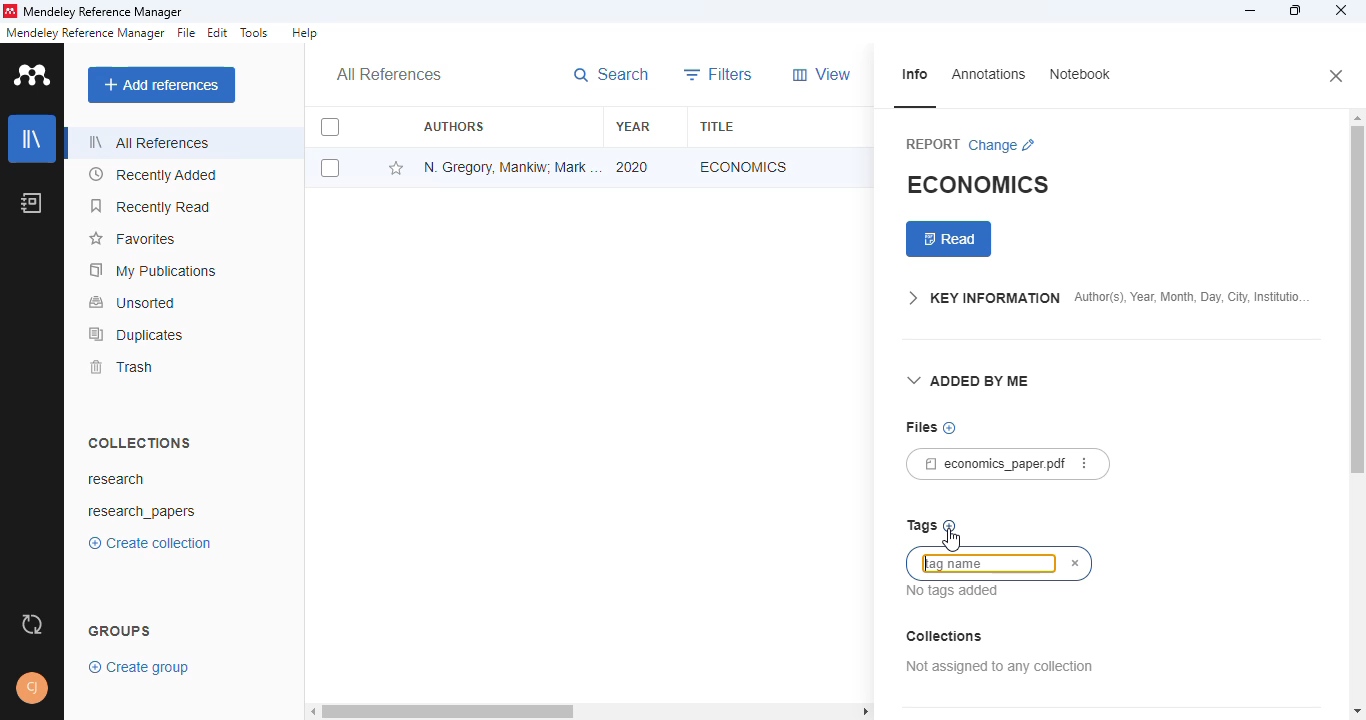  I want to click on search, so click(611, 75).